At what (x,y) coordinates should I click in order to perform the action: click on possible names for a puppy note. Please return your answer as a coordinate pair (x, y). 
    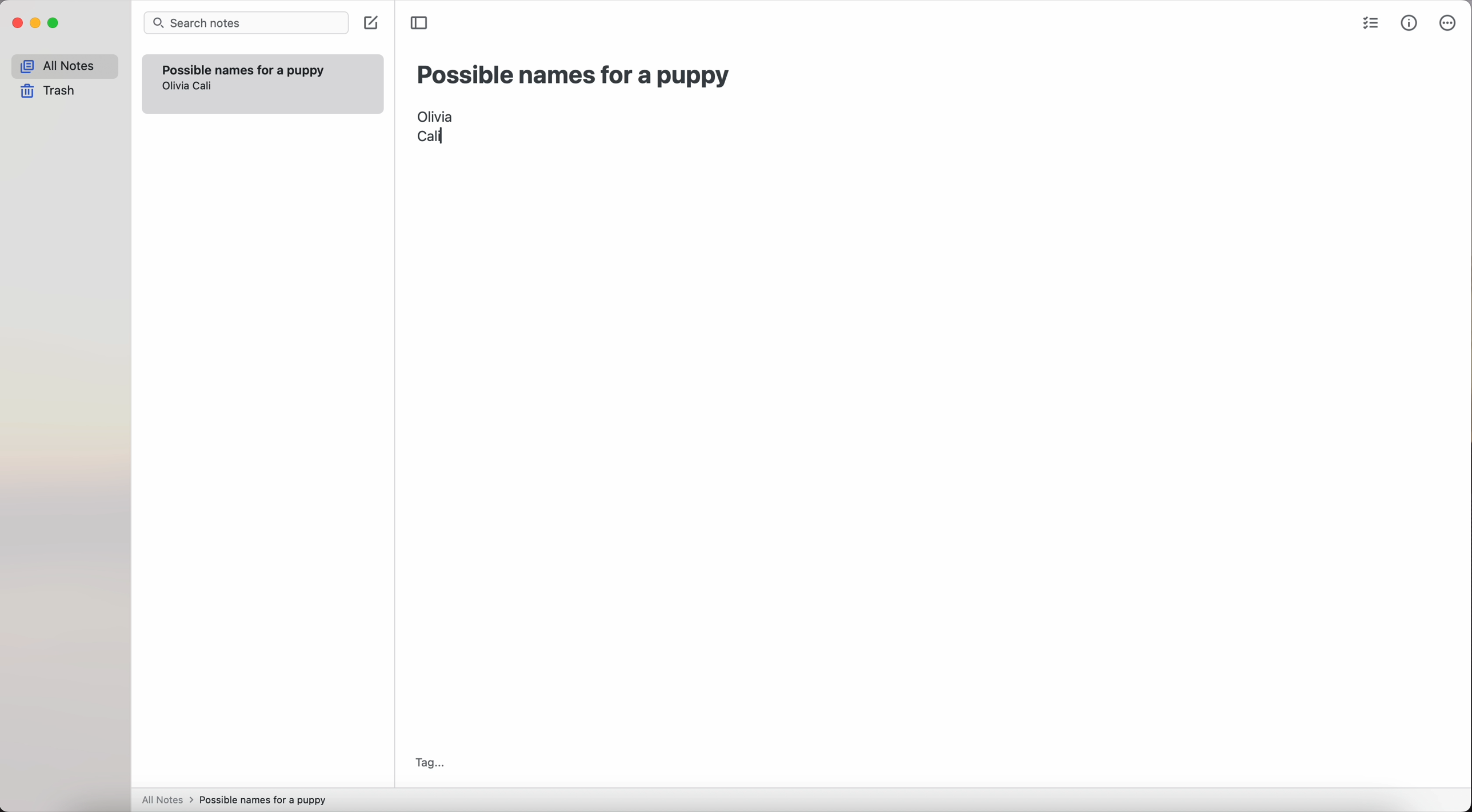
    Looking at the image, I should click on (243, 68).